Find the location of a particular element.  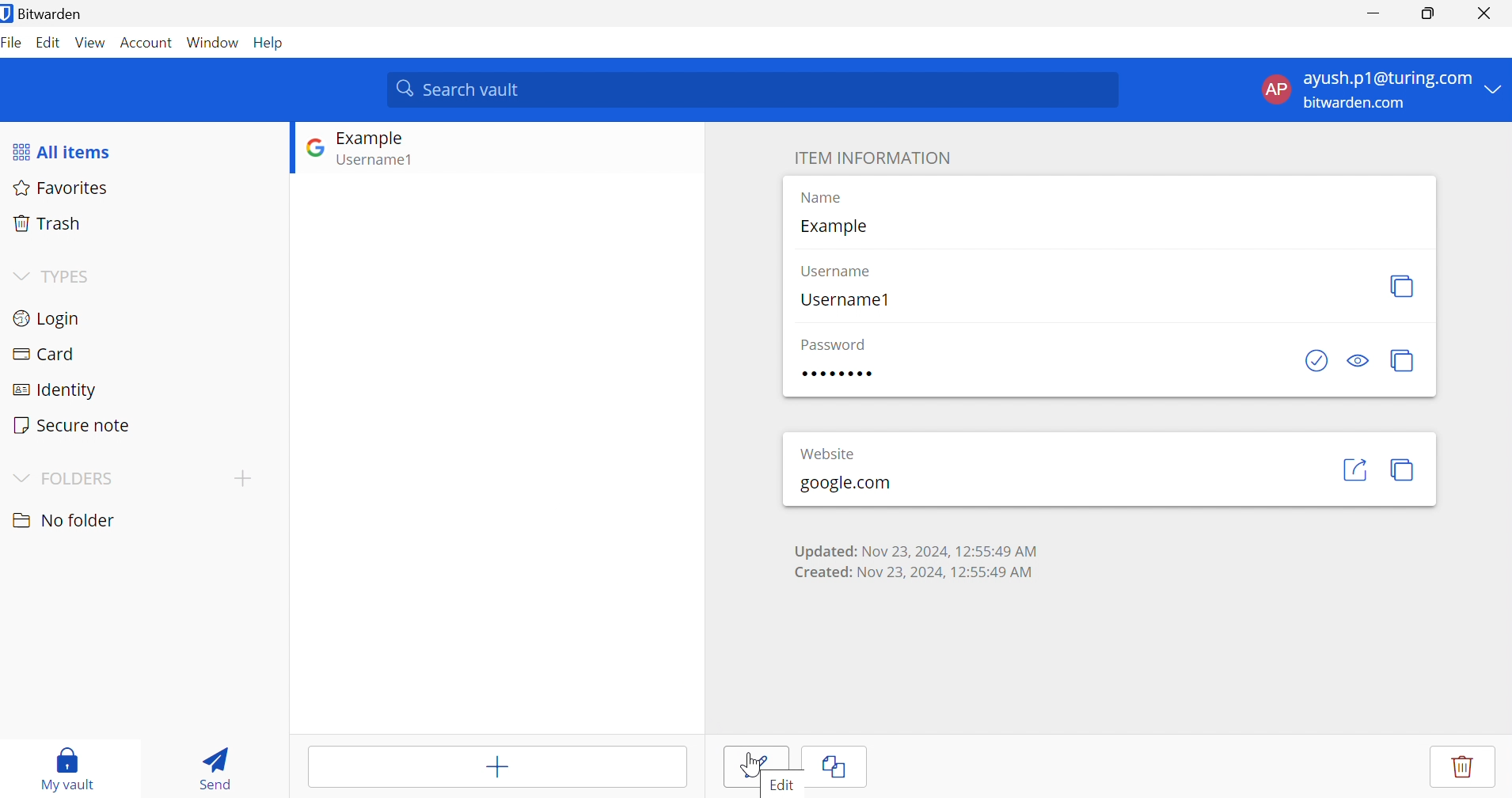

Drop Down is located at coordinates (20, 273).